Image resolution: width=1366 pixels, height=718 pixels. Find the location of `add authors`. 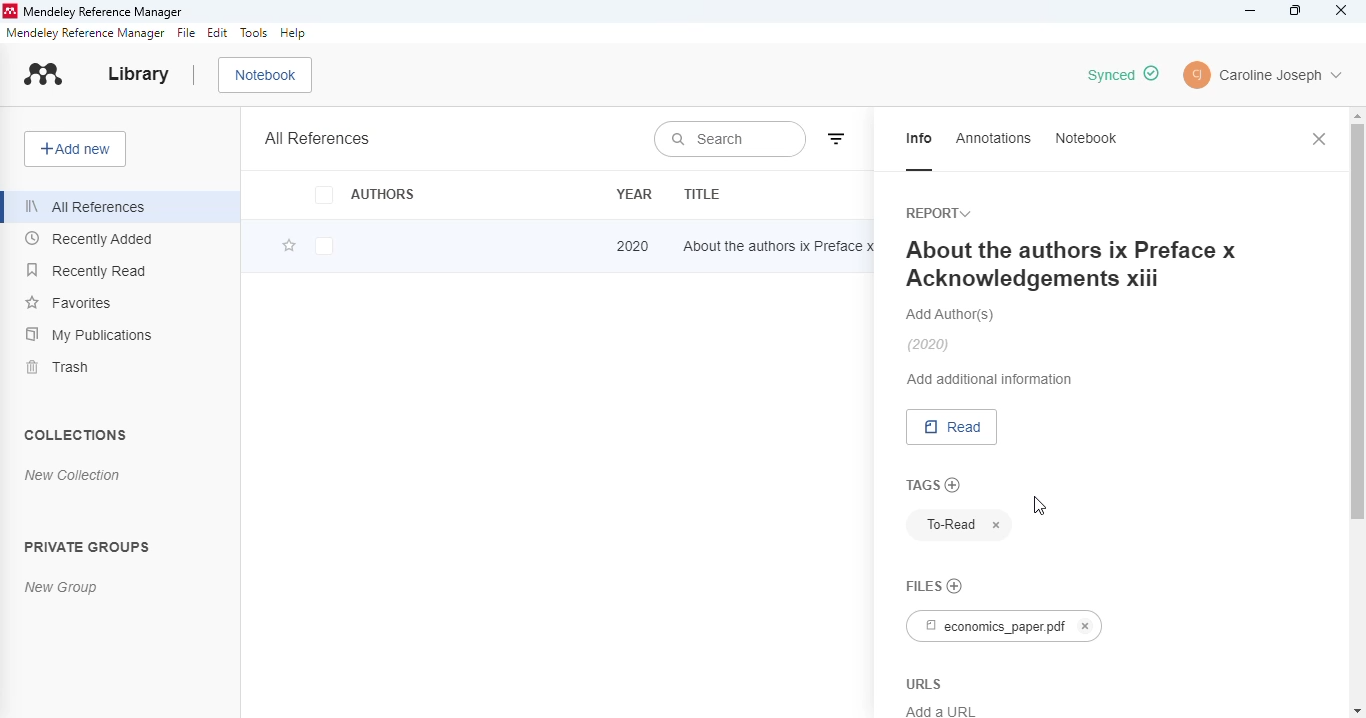

add authors is located at coordinates (951, 314).